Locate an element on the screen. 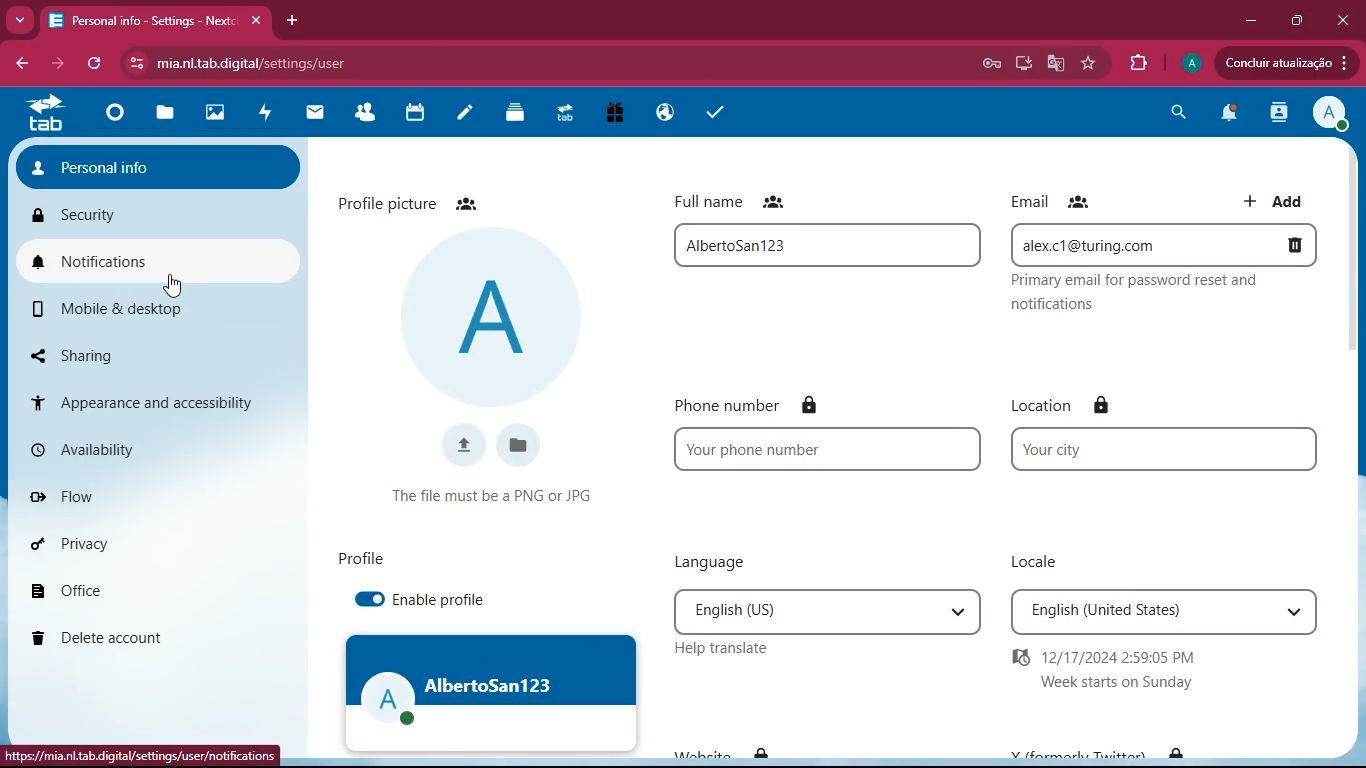 Image resolution: width=1366 pixels, height=768 pixels. Personal info - Settings - Nextc is located at coordinates (156, 21).